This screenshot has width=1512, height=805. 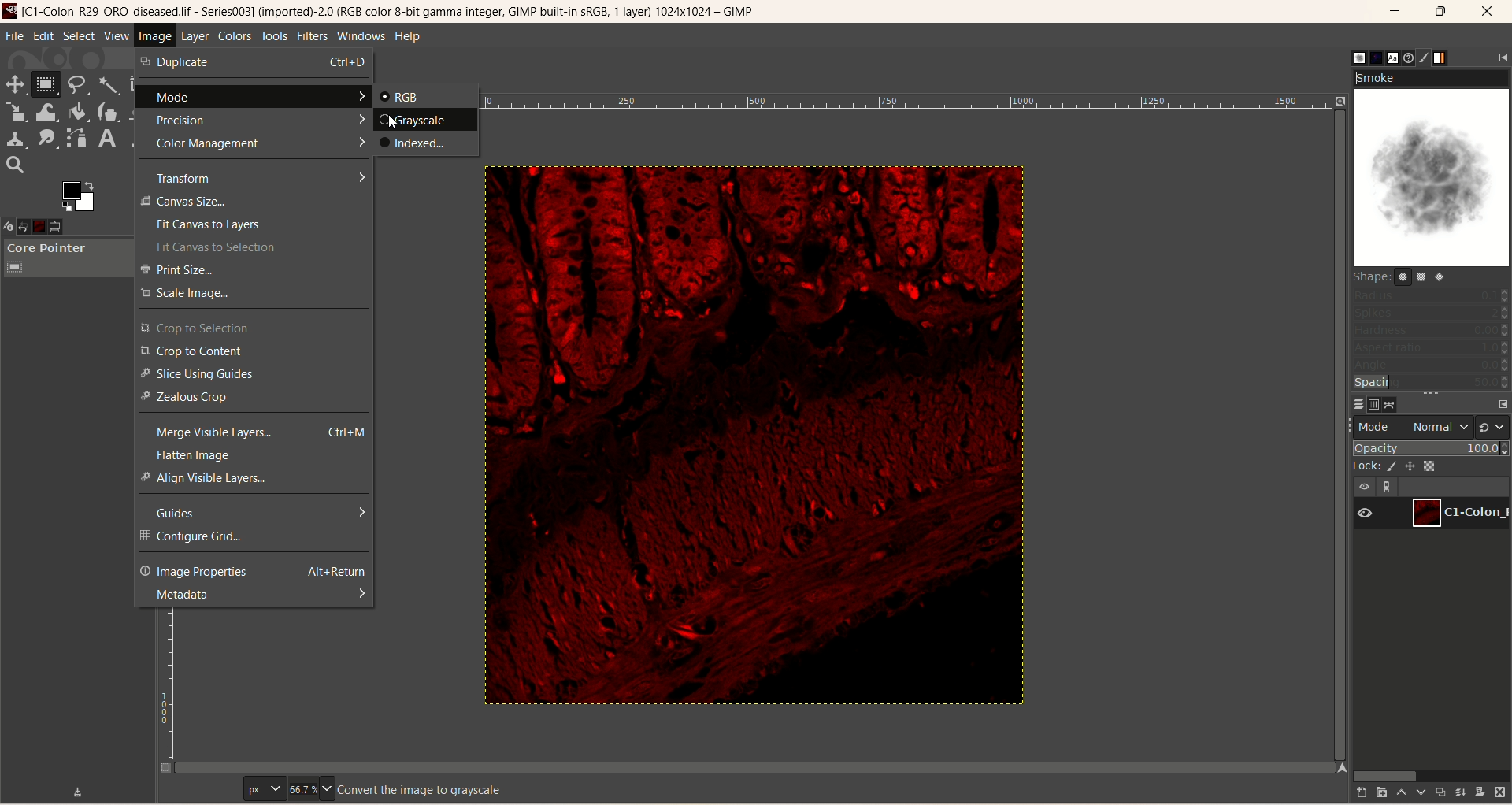 What do you see at coordinates (171, 686) in the screenshot?
I see `scale bar` at bounding box center [171, 686].